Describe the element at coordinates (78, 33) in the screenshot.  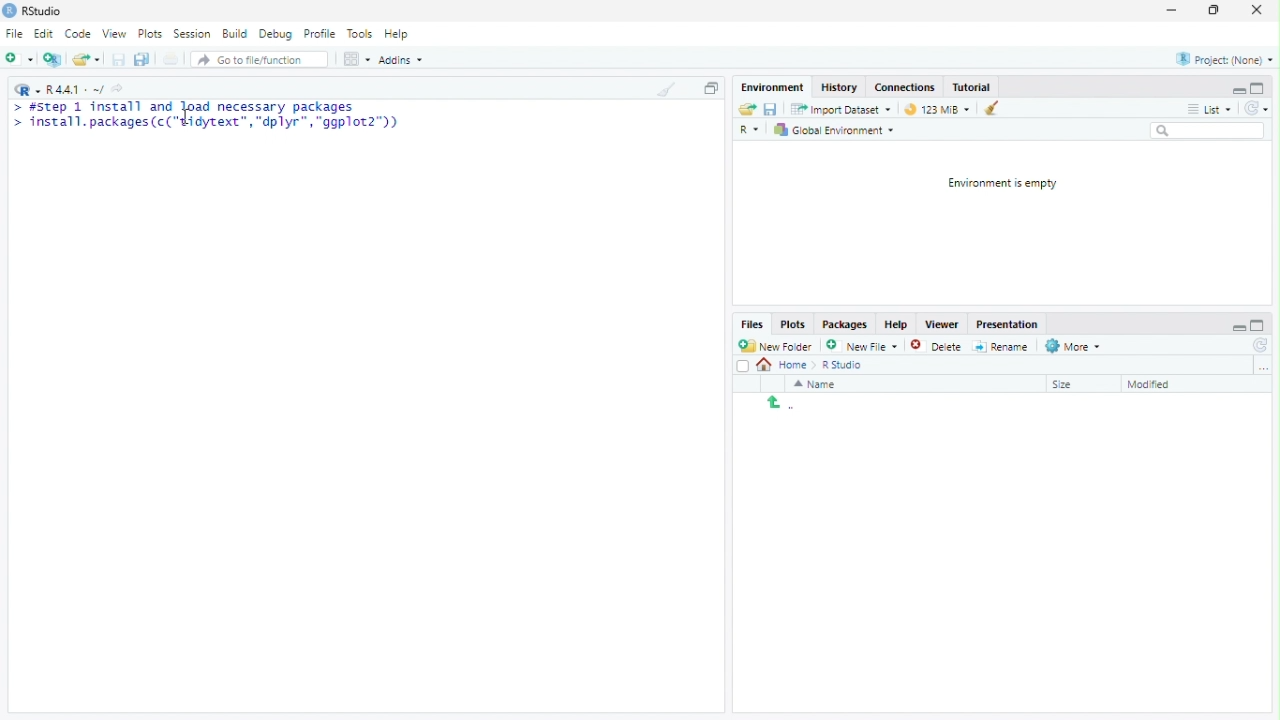
I see `Code` at that location.